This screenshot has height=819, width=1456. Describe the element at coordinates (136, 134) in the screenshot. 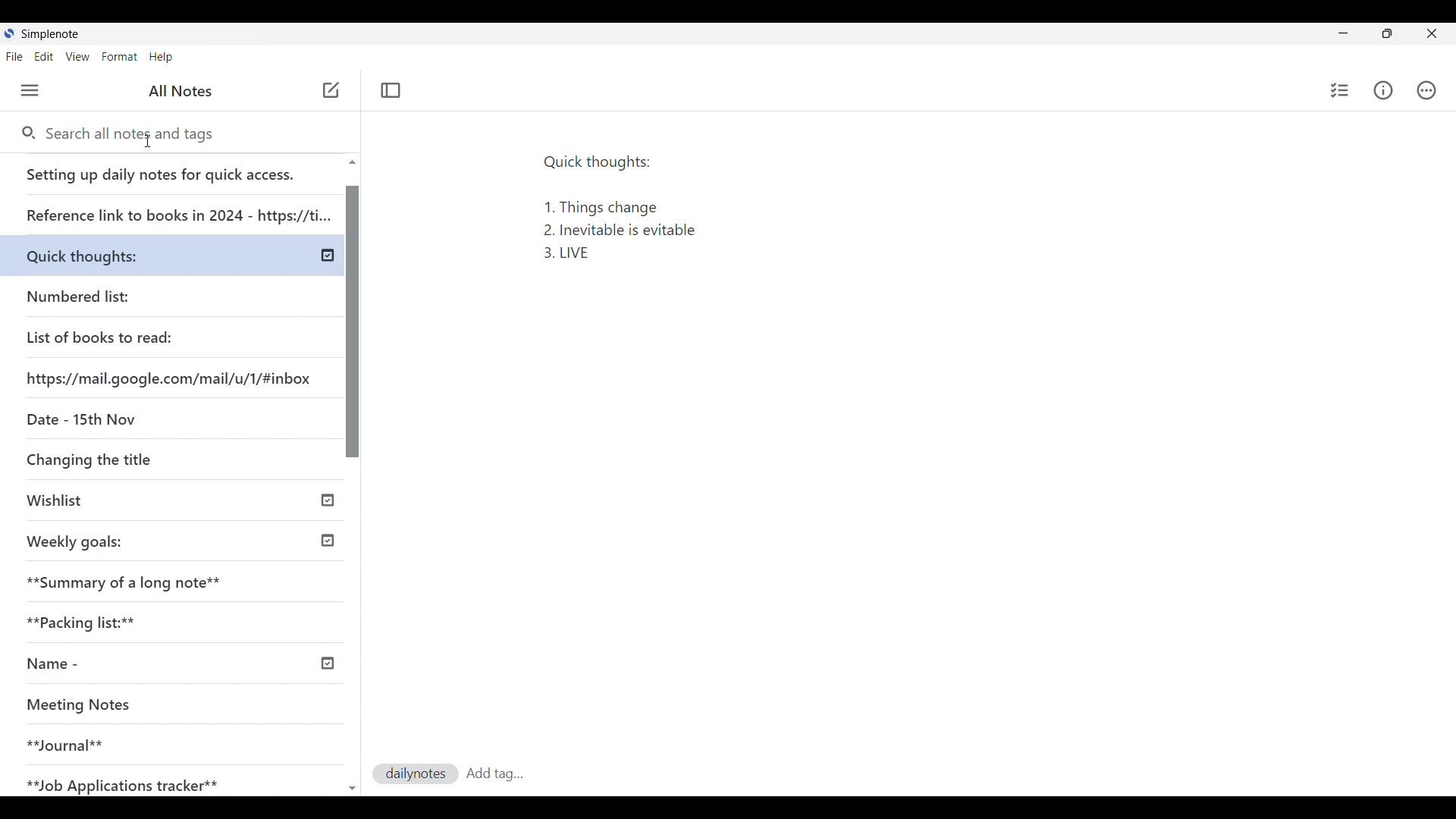

I see `Search notes and tags` at that location.